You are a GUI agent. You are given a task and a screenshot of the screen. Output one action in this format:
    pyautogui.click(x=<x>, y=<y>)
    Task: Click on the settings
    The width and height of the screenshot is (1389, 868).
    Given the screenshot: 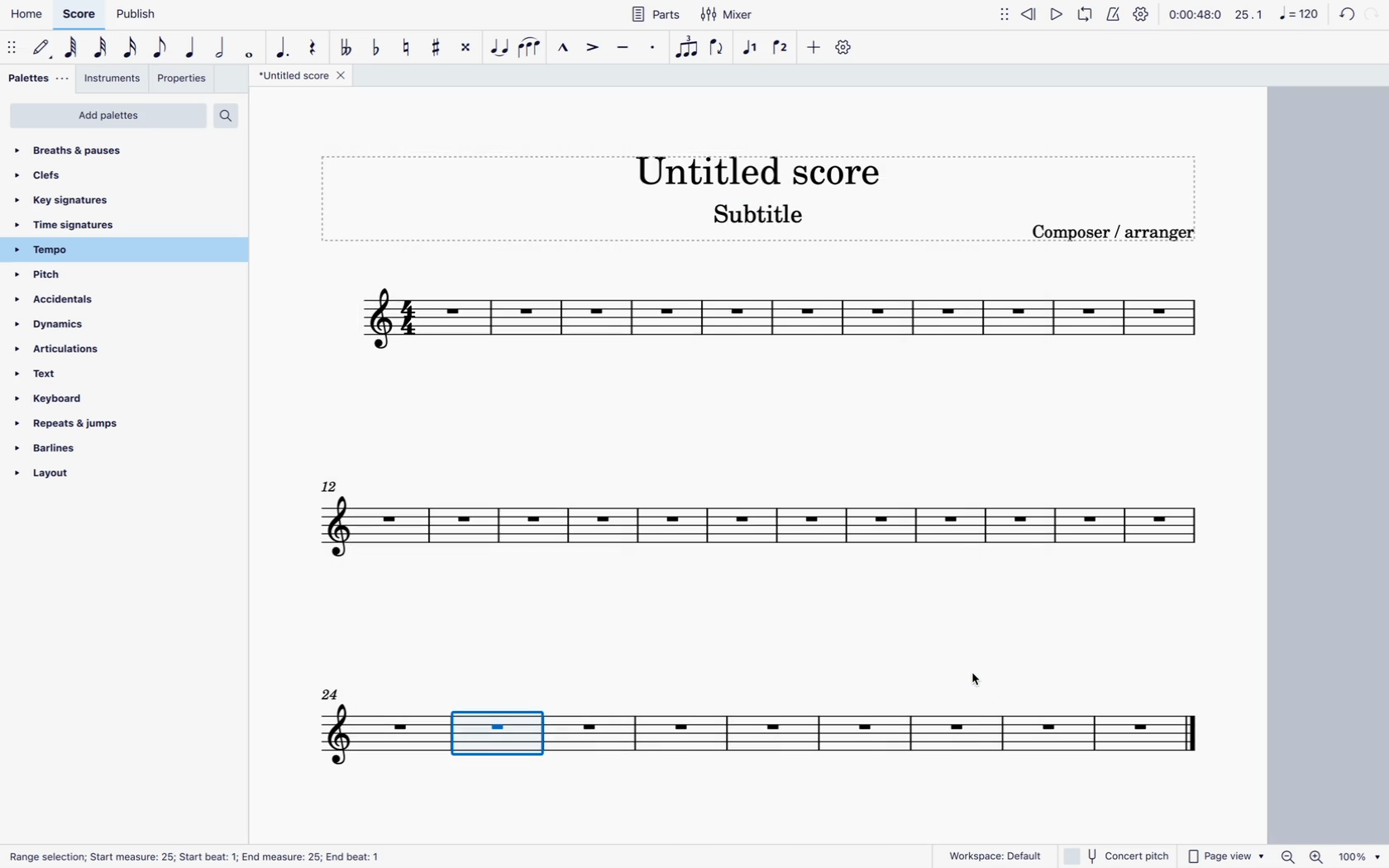 What is the action you would take?
    pyautogui.click(x=848, y=50)
    